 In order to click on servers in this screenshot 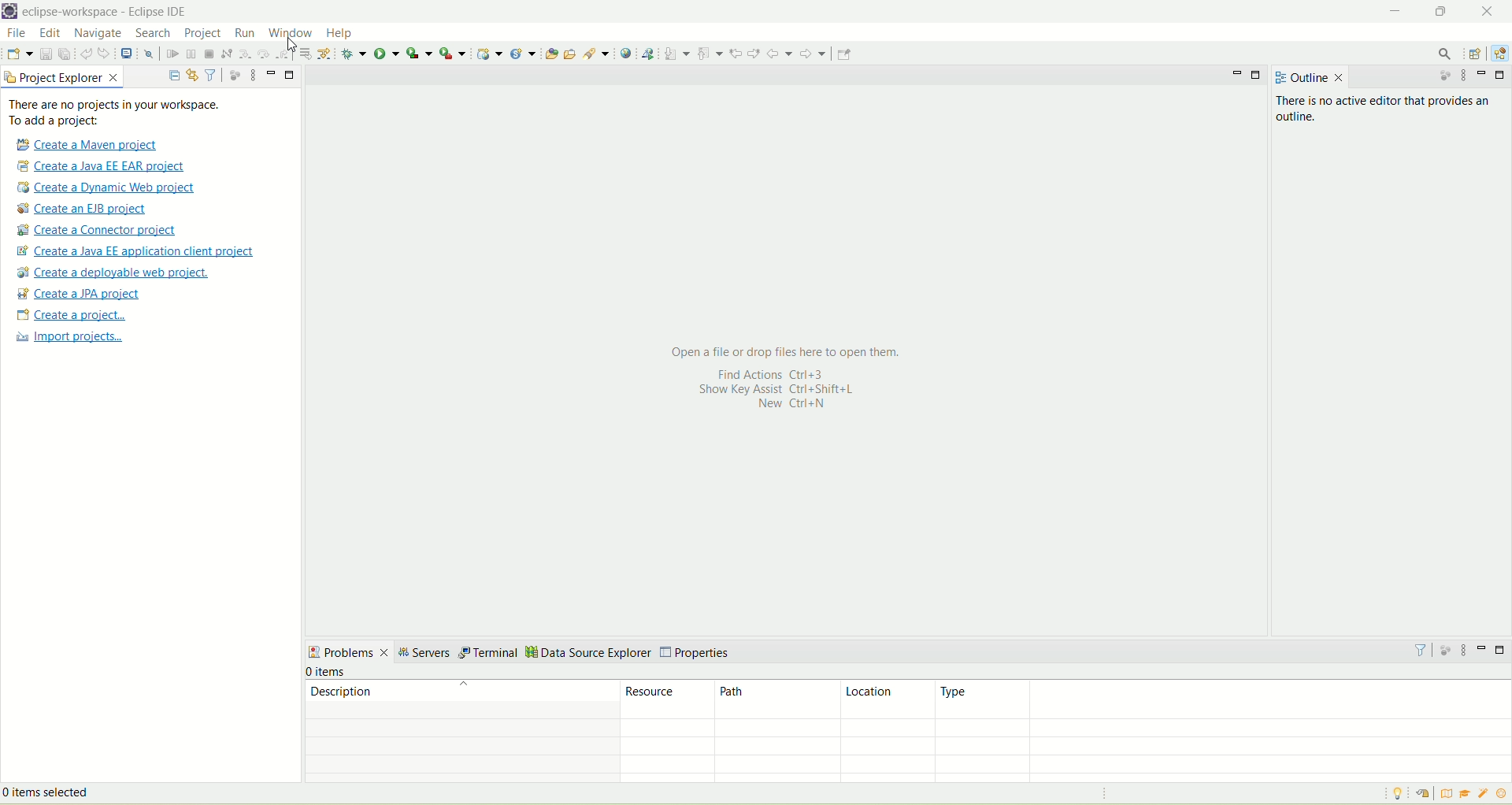, I will do `click(423, 655)`.